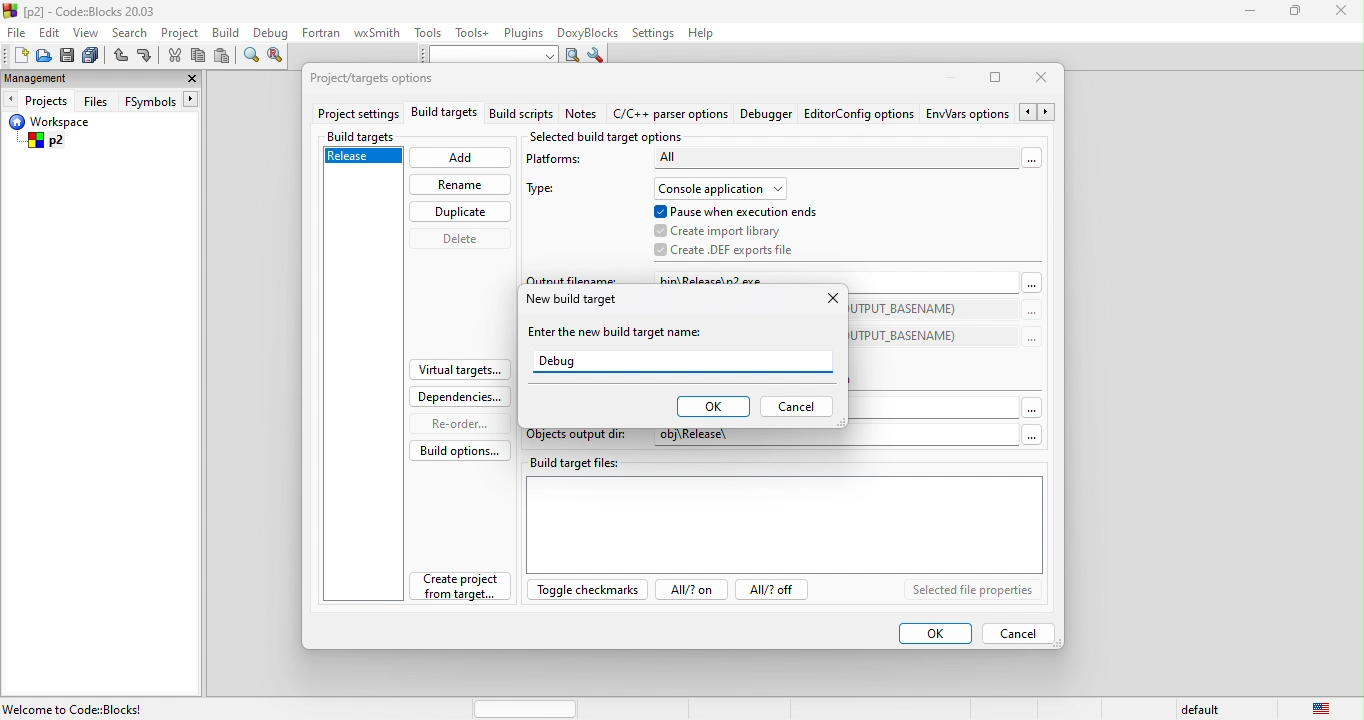  What do you see at coordinates (1197, 709) in the screenshot?
I see `default` at bounding box center [1197, 709].